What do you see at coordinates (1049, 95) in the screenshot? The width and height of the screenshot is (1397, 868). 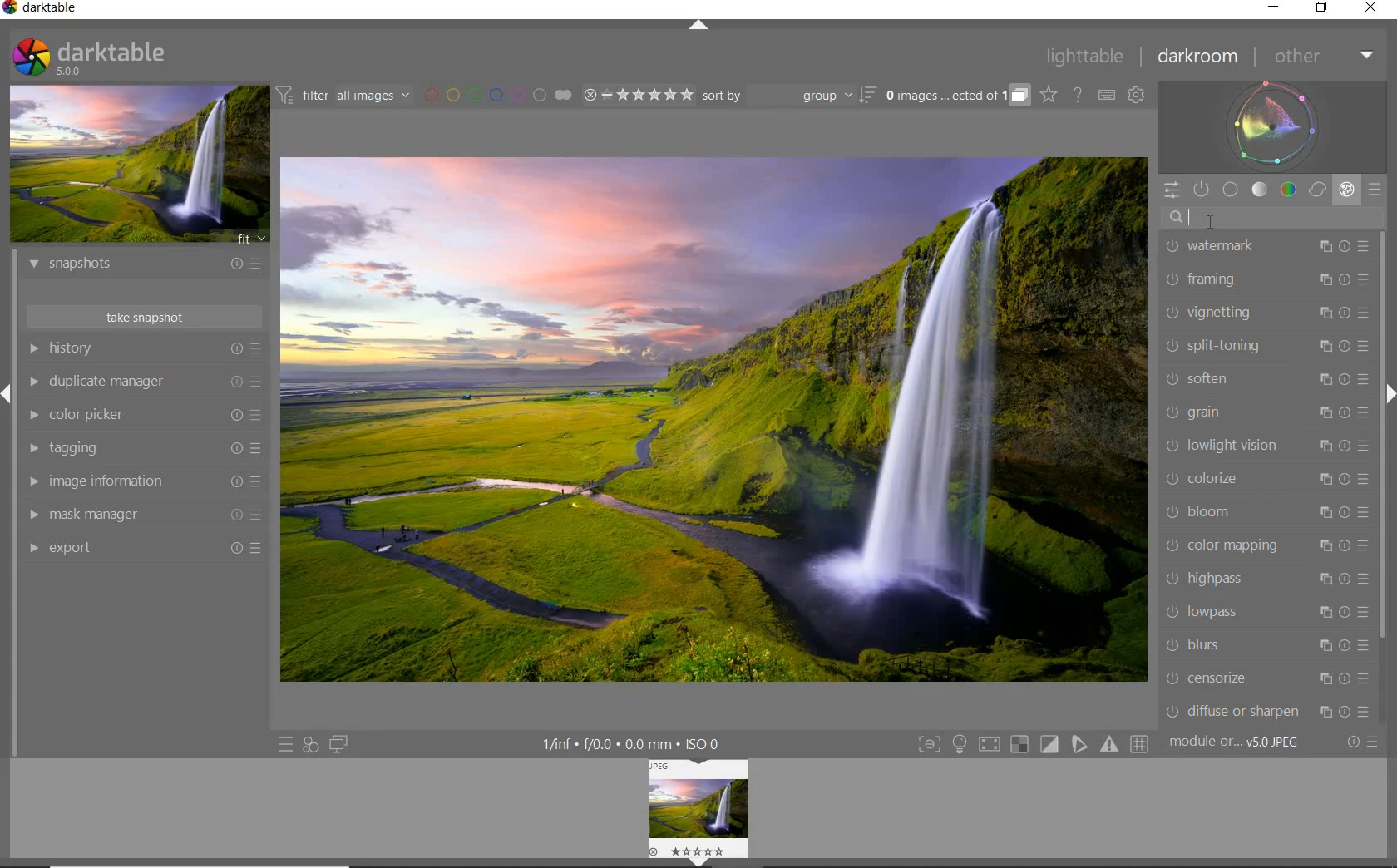 I see `CLICK TO CHANGE THE OVERLAYS SHOWN ON THUMBNAILS` at bounding box center [1049, 95].